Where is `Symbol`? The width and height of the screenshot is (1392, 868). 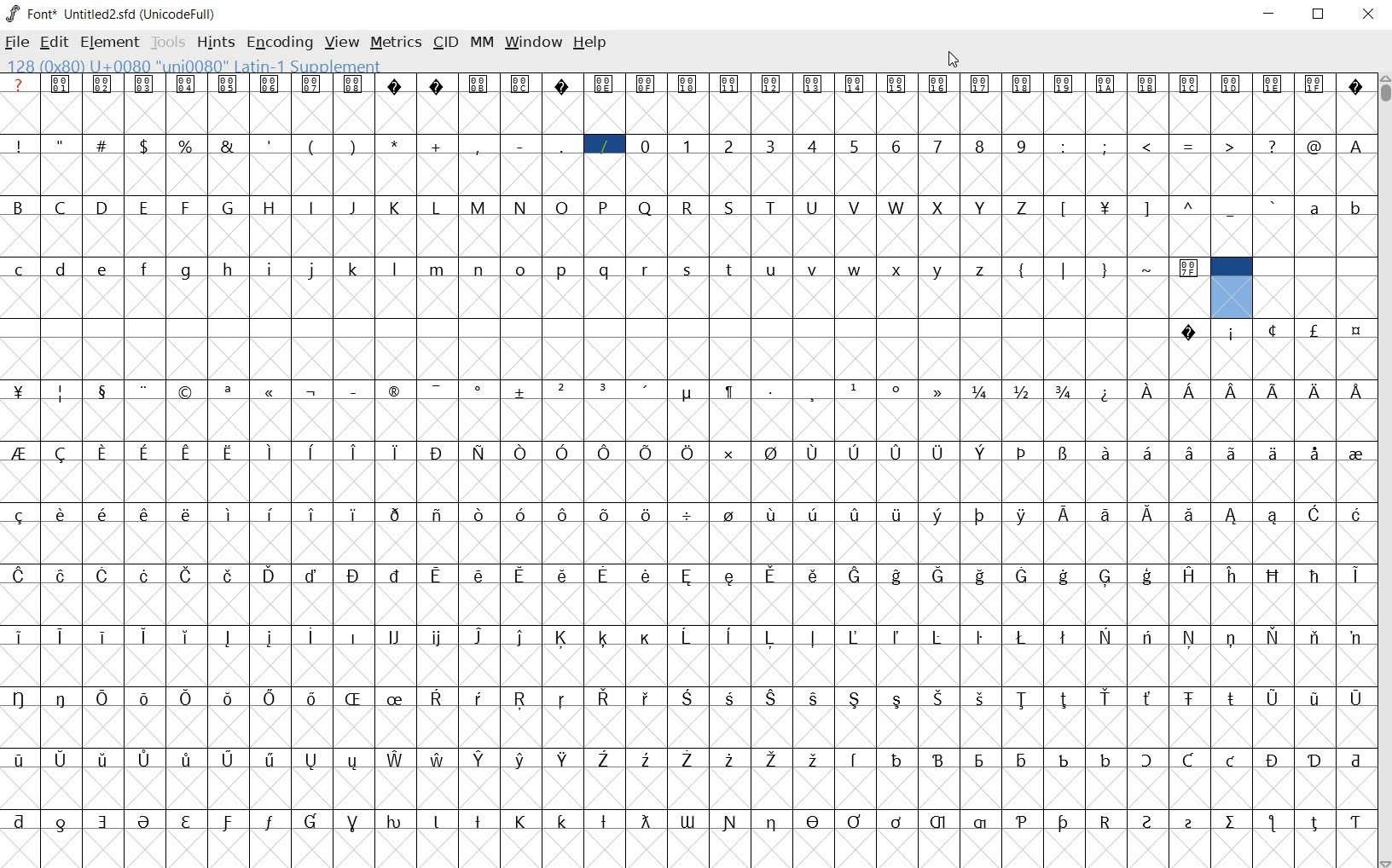
Symbol is located at coordinates (439, 758).